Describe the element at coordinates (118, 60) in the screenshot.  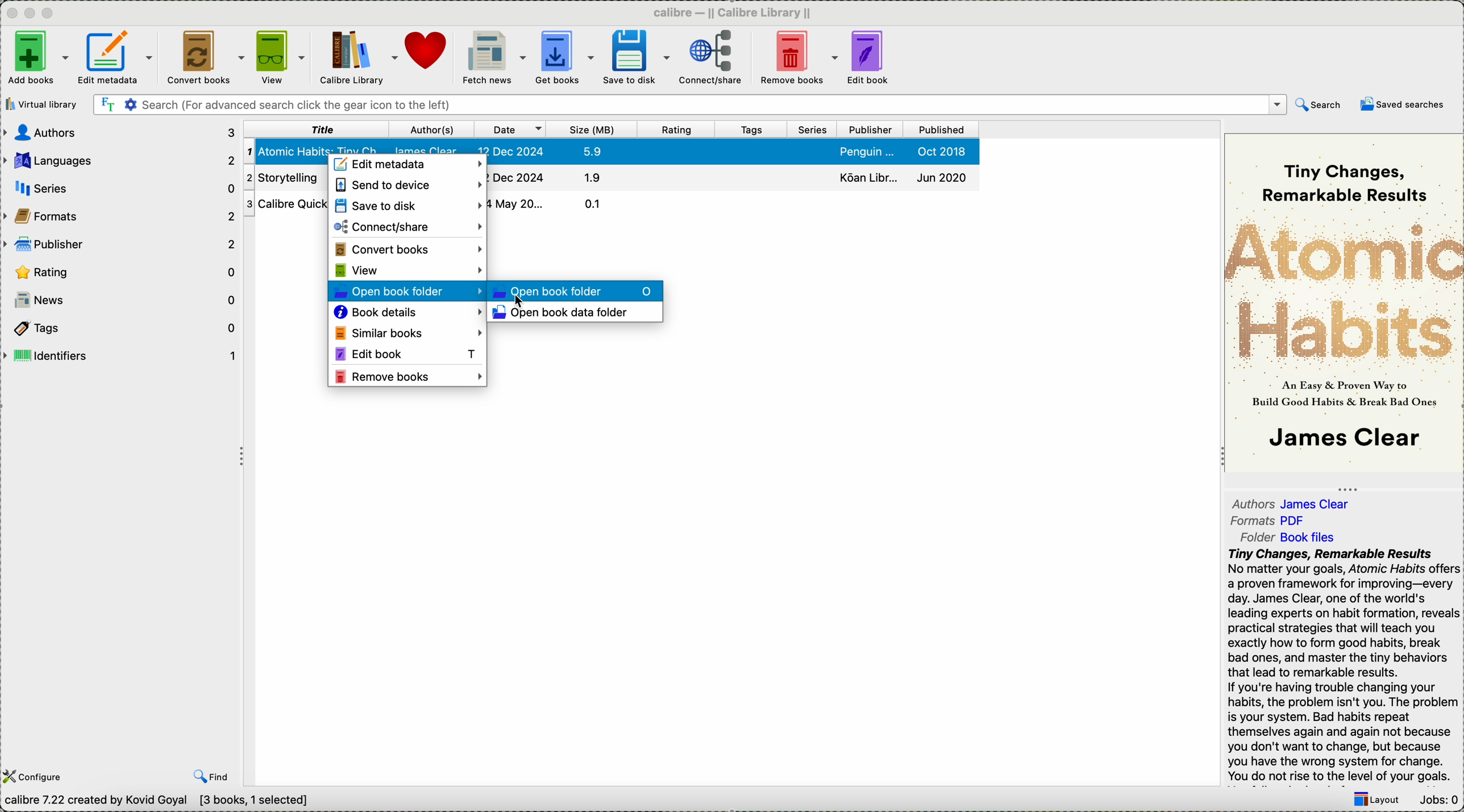
I see `edit metadata` at that location.